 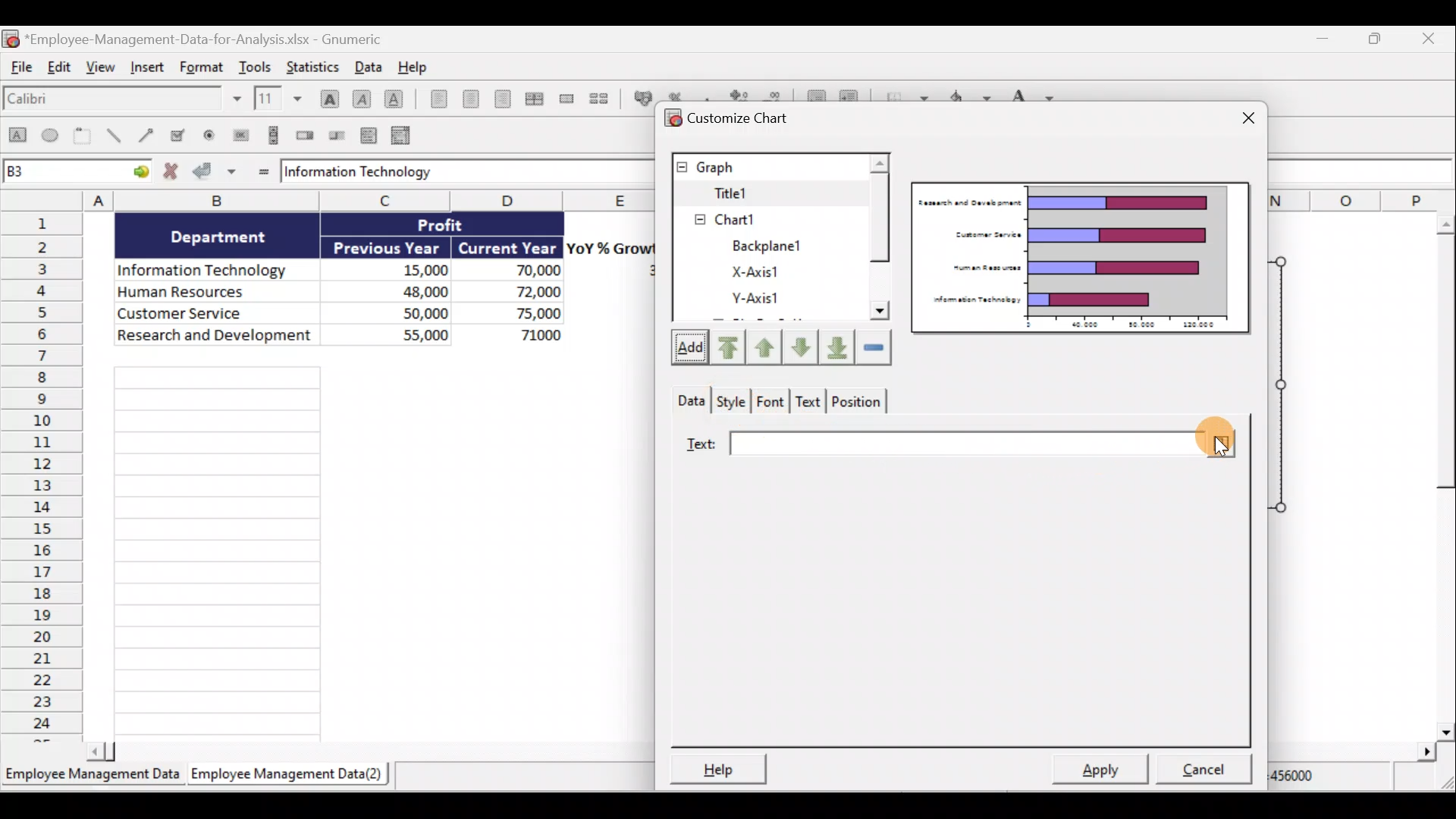 I want to click on View, so click(x=102, y=73).